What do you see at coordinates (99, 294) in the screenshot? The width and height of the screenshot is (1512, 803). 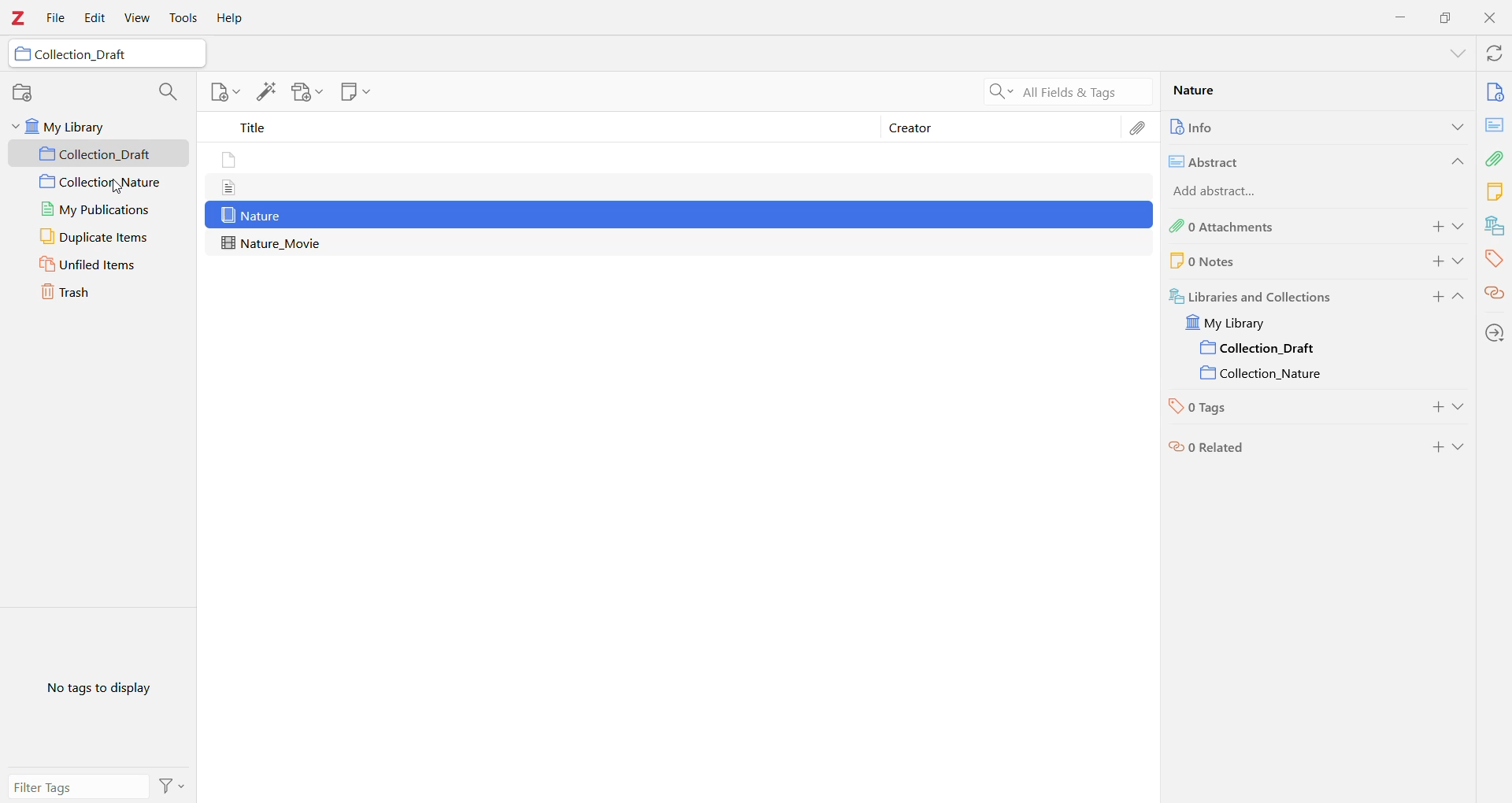 I see `Trash` at bounding box center [99, 294].